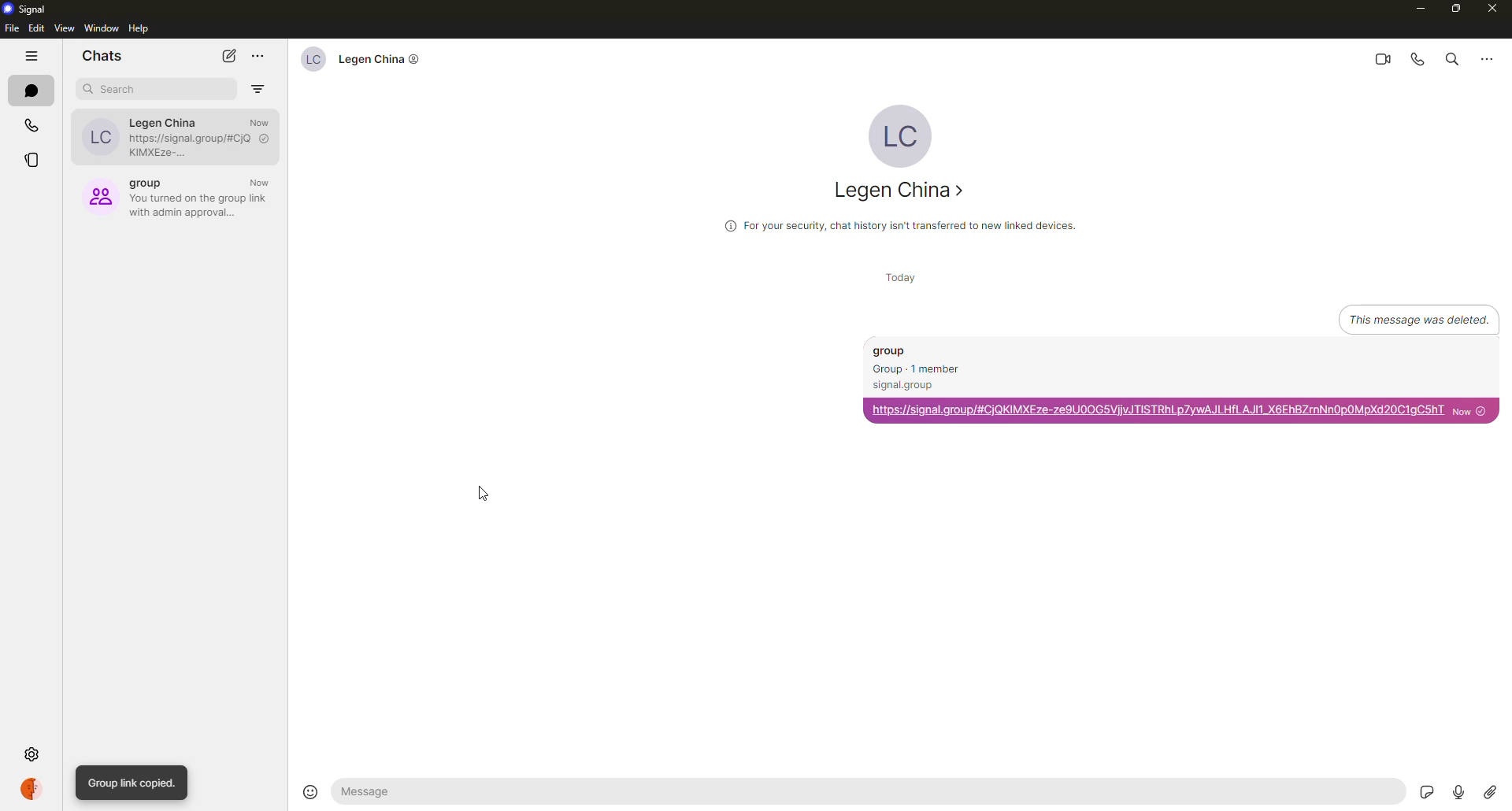 This screenshot has width=1512, height=811. Describe the element at coordinates (141, 29) in the screenshot. I see `help` at that location.